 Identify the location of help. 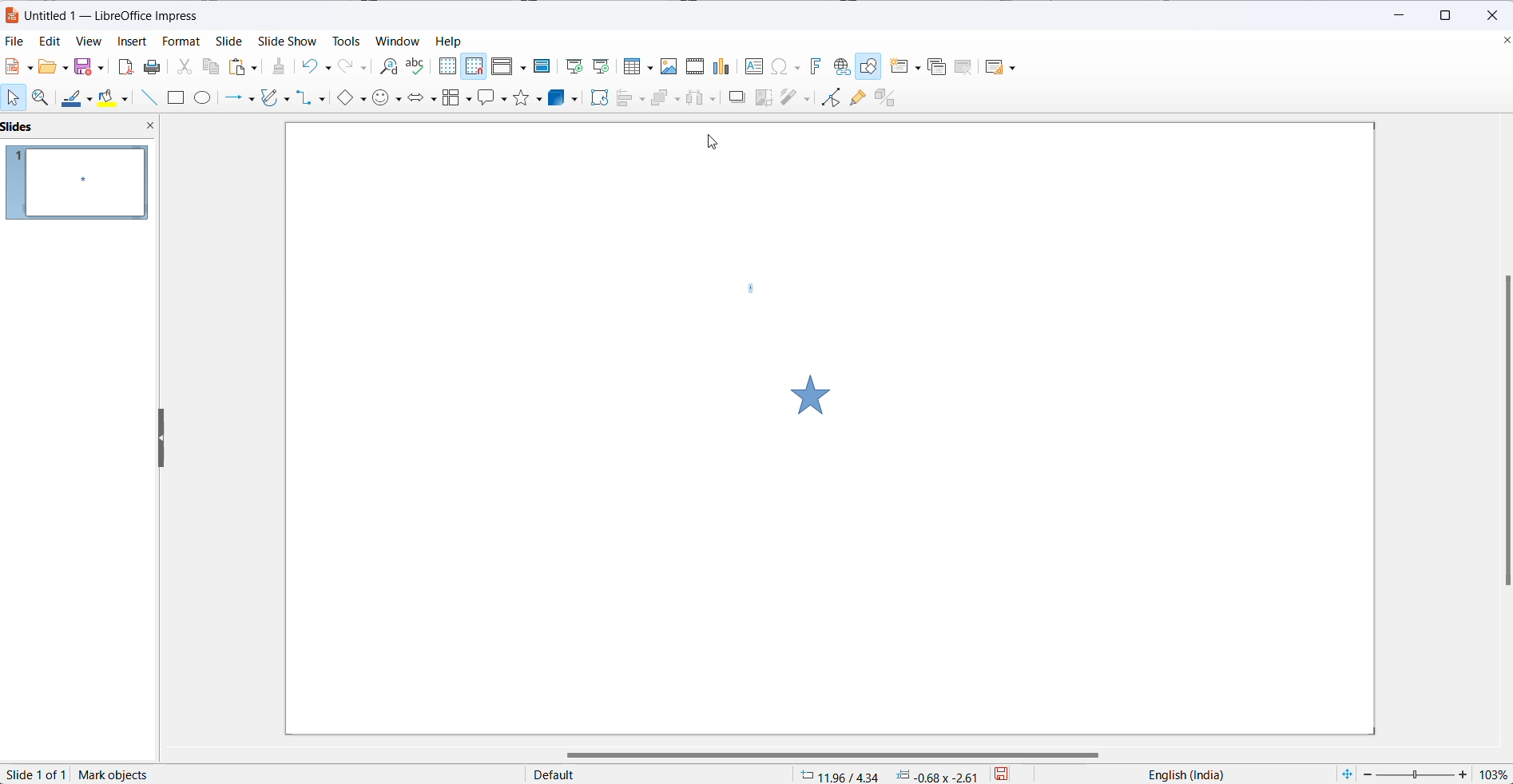
(455, 41).